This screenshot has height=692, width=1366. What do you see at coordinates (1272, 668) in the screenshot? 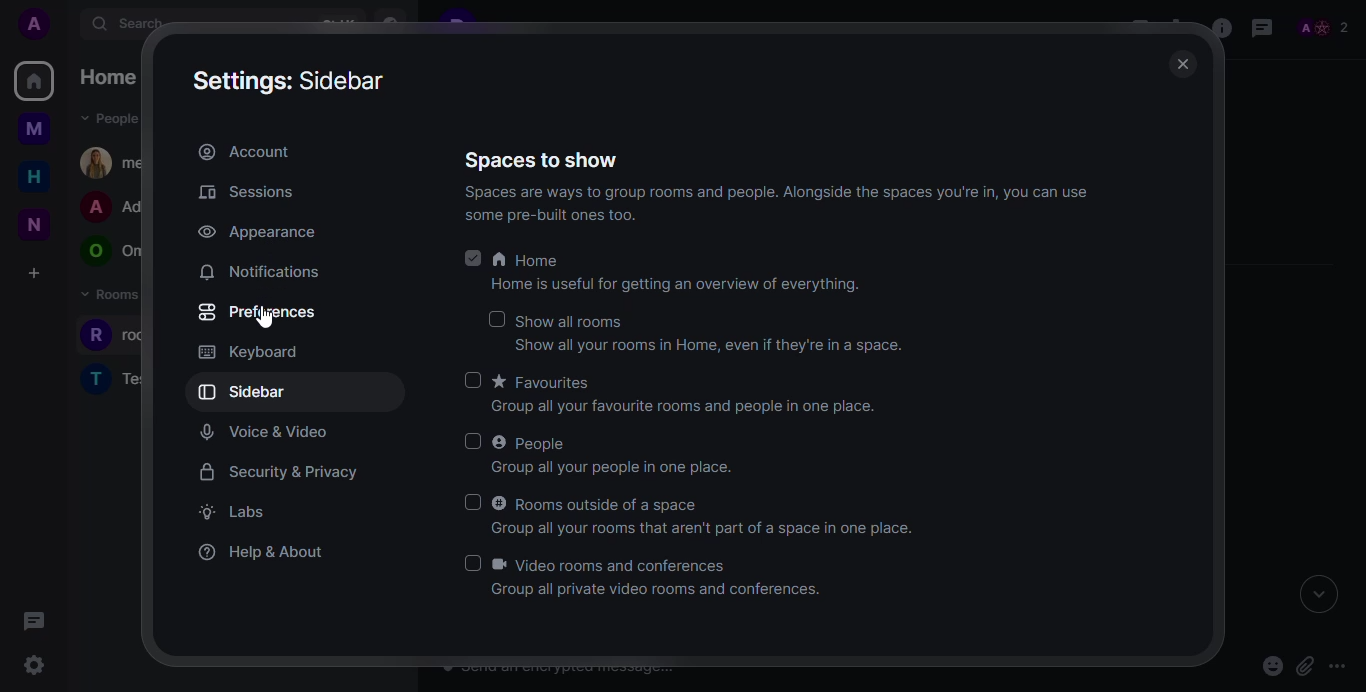
I see `emoji` at bounding box center [1272, 668].